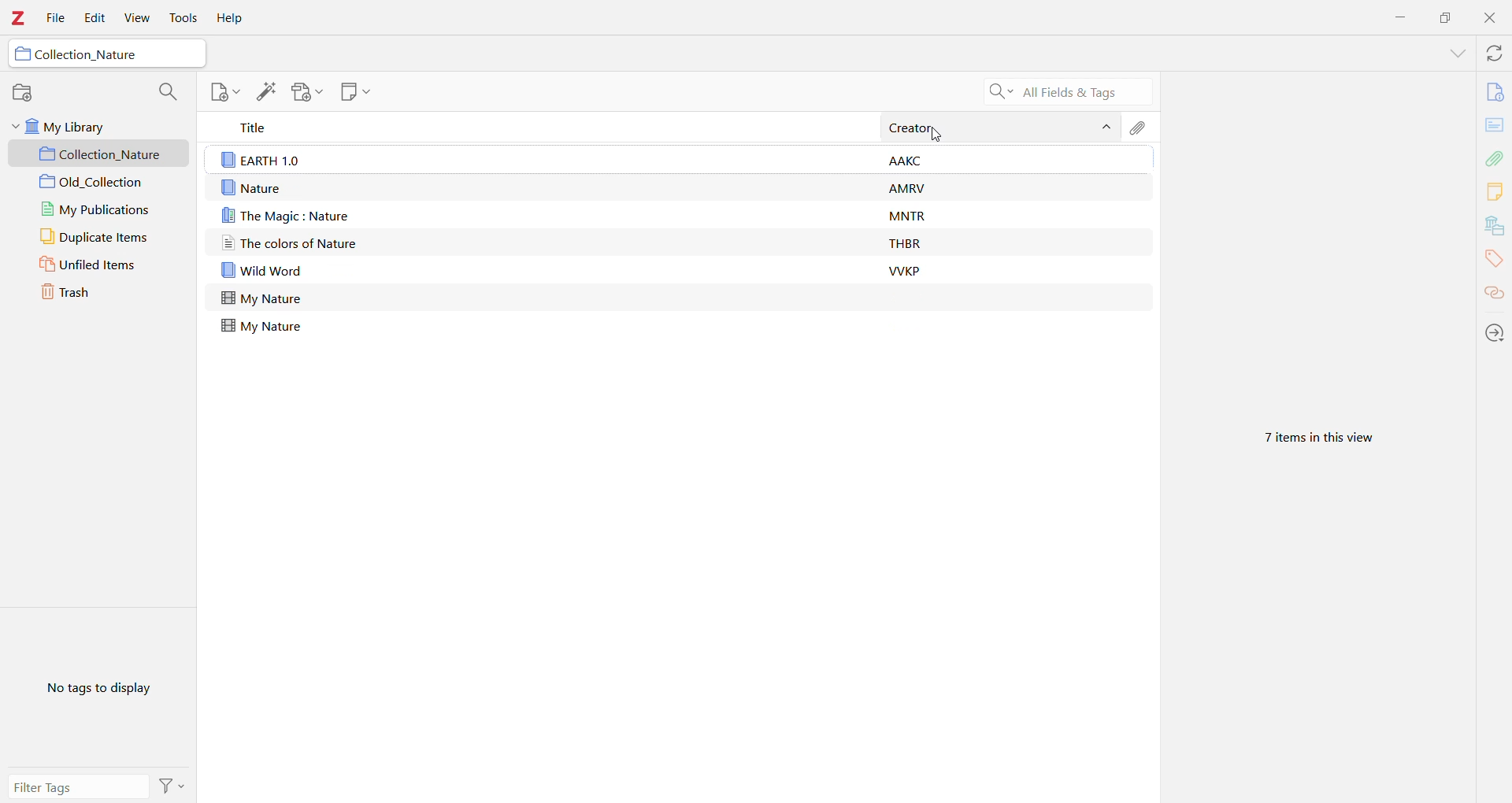 Image resolution: width=1512 pixels, height=803 pixels. Describe the element at coordinates (259, 298) in the screenshot. I see `Nature` at that location.